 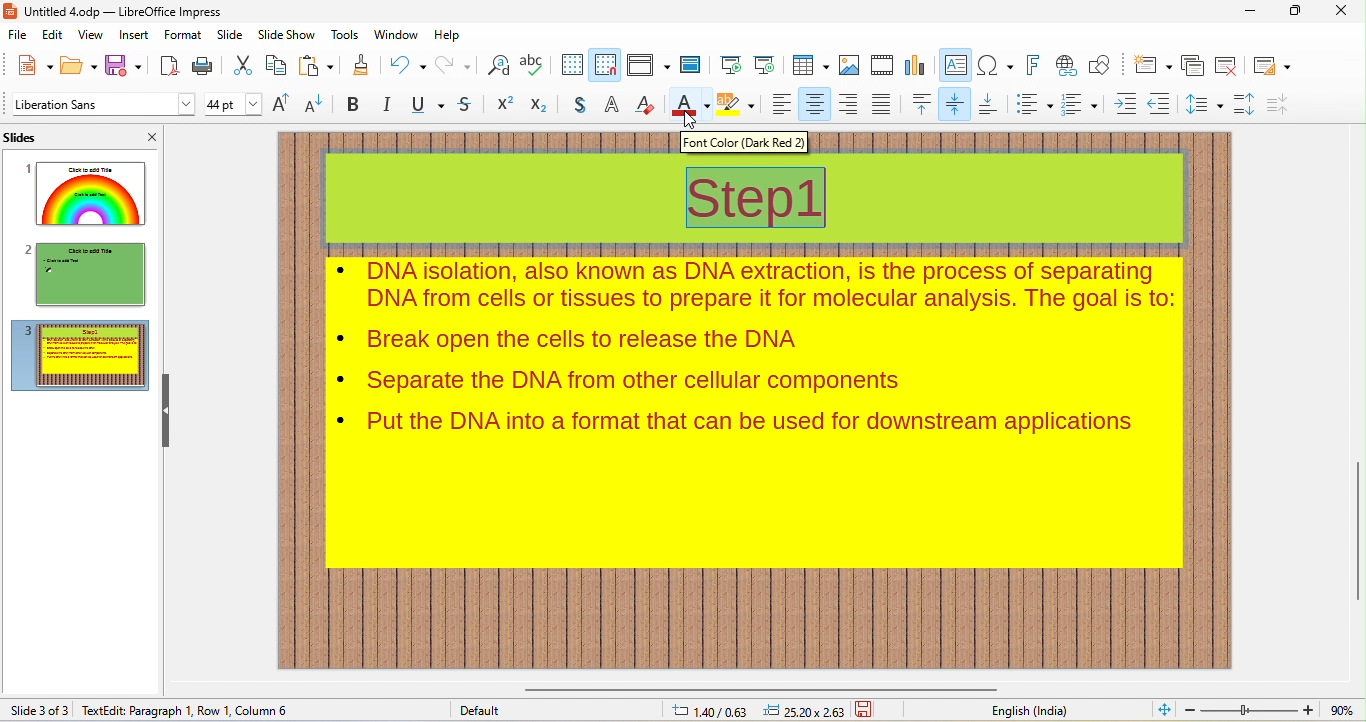 What do you see at coordinates (478, 709) in the screenshot?
I see `default` at bounding box center [478, 709].